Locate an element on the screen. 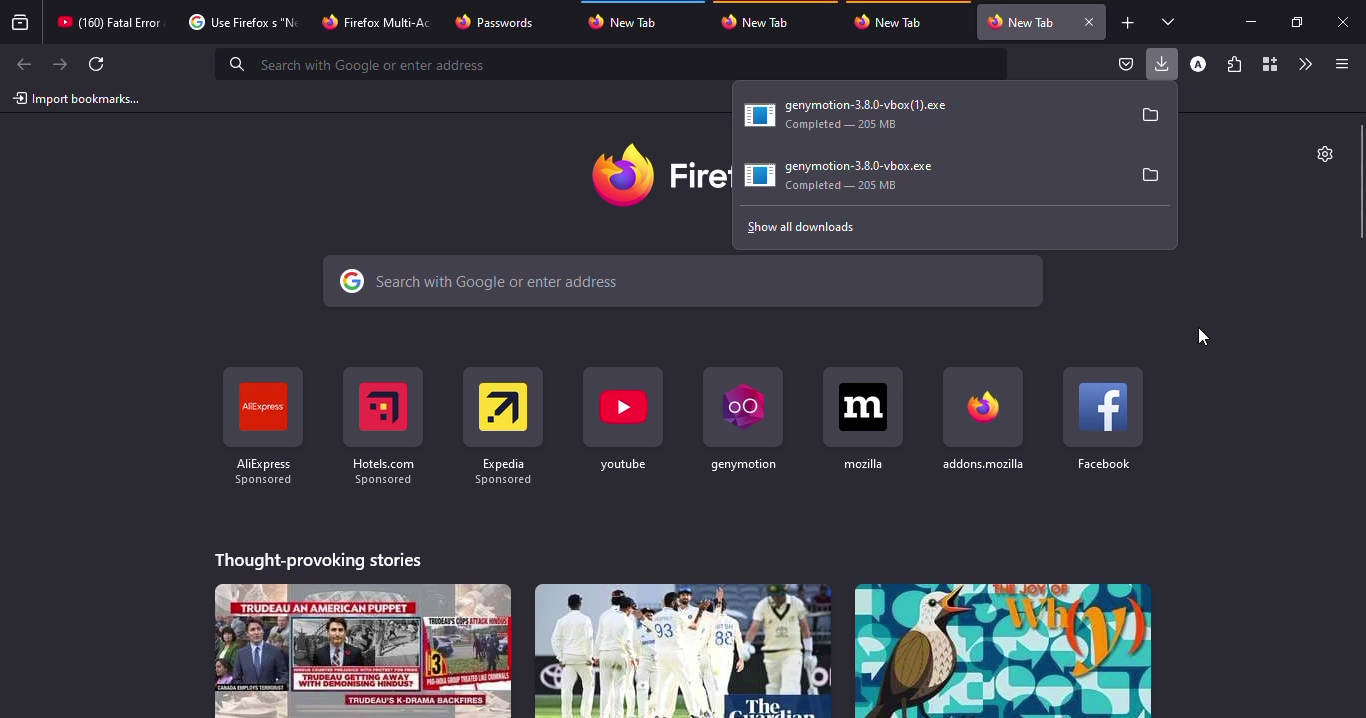 The width and height of the screenshot is (1366, 718). stories is located at coordinates (364, 650).